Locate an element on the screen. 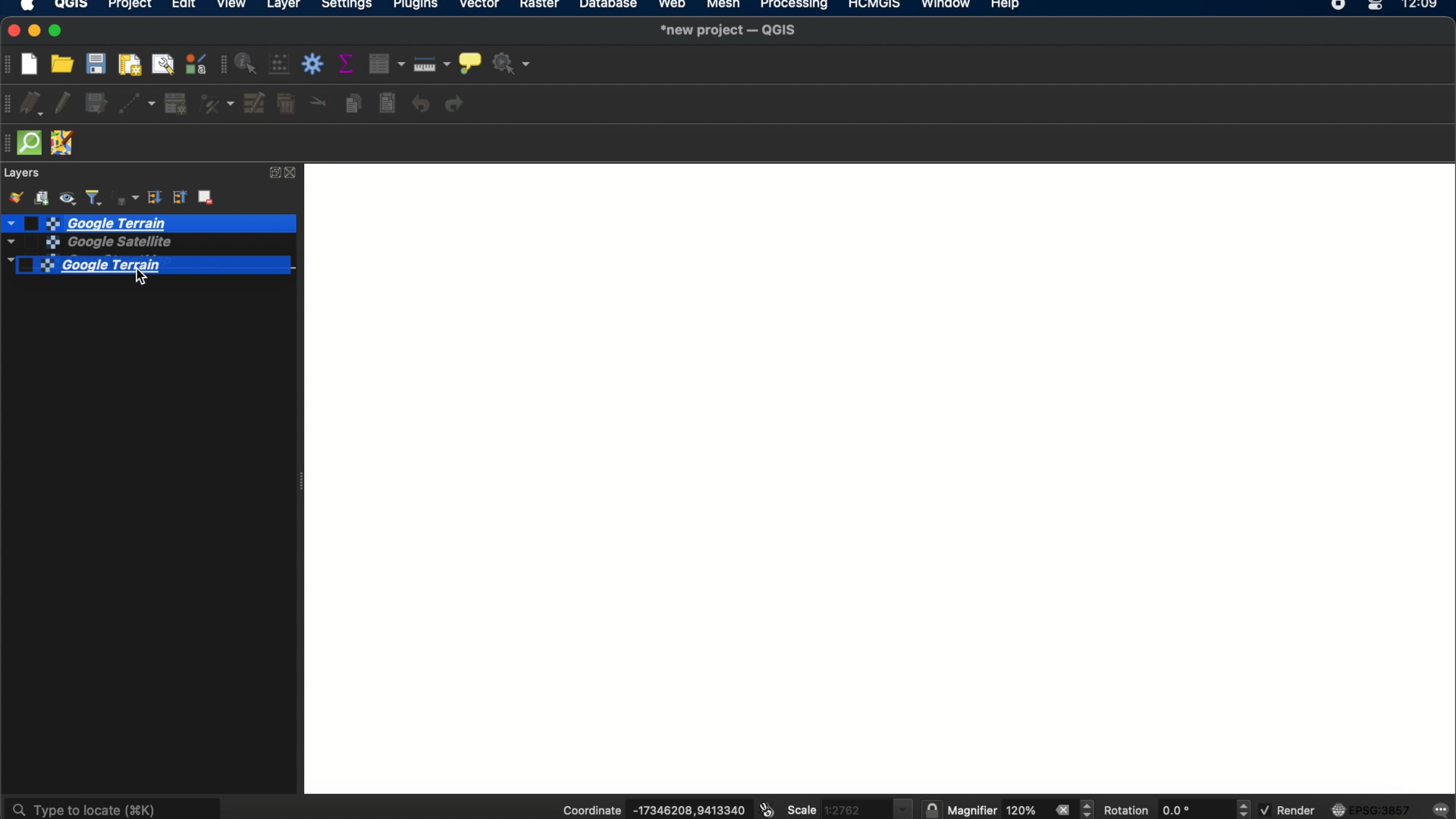 The height and width of the screenshot is (819, 1456). maximize is located at coordinates (58, 31).